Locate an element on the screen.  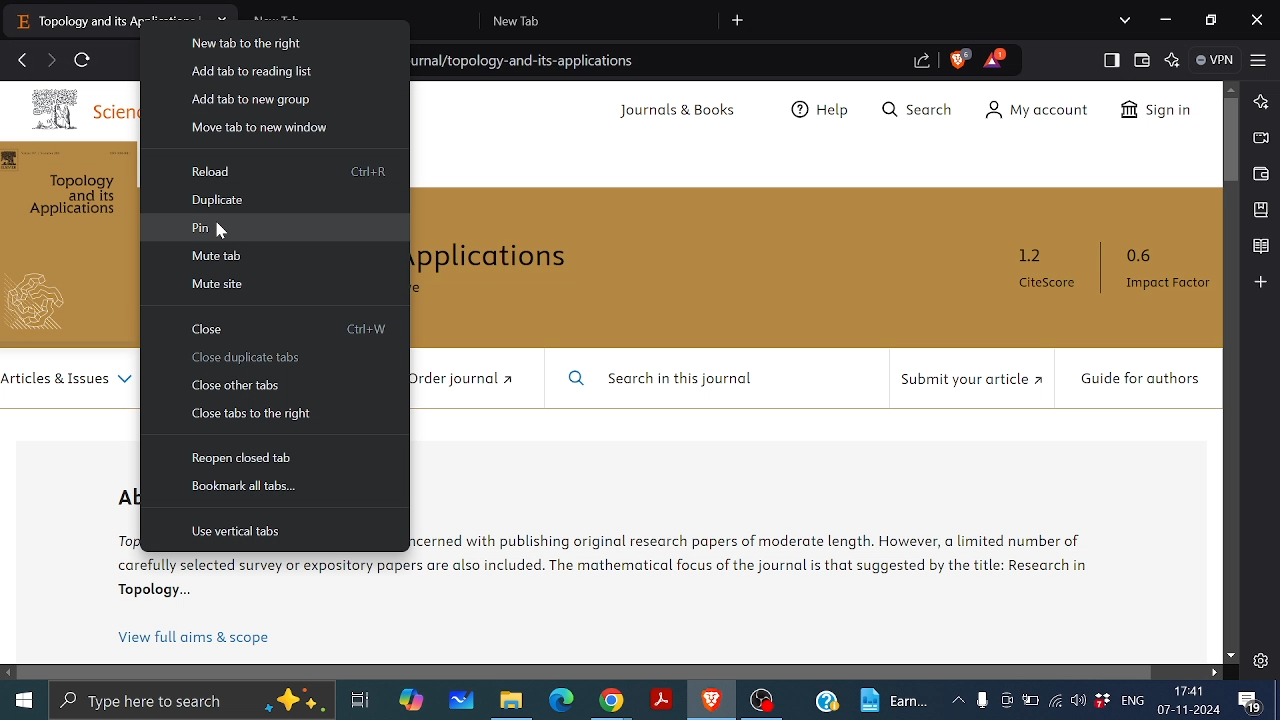
VPN is located at coordinates (1214, 60).